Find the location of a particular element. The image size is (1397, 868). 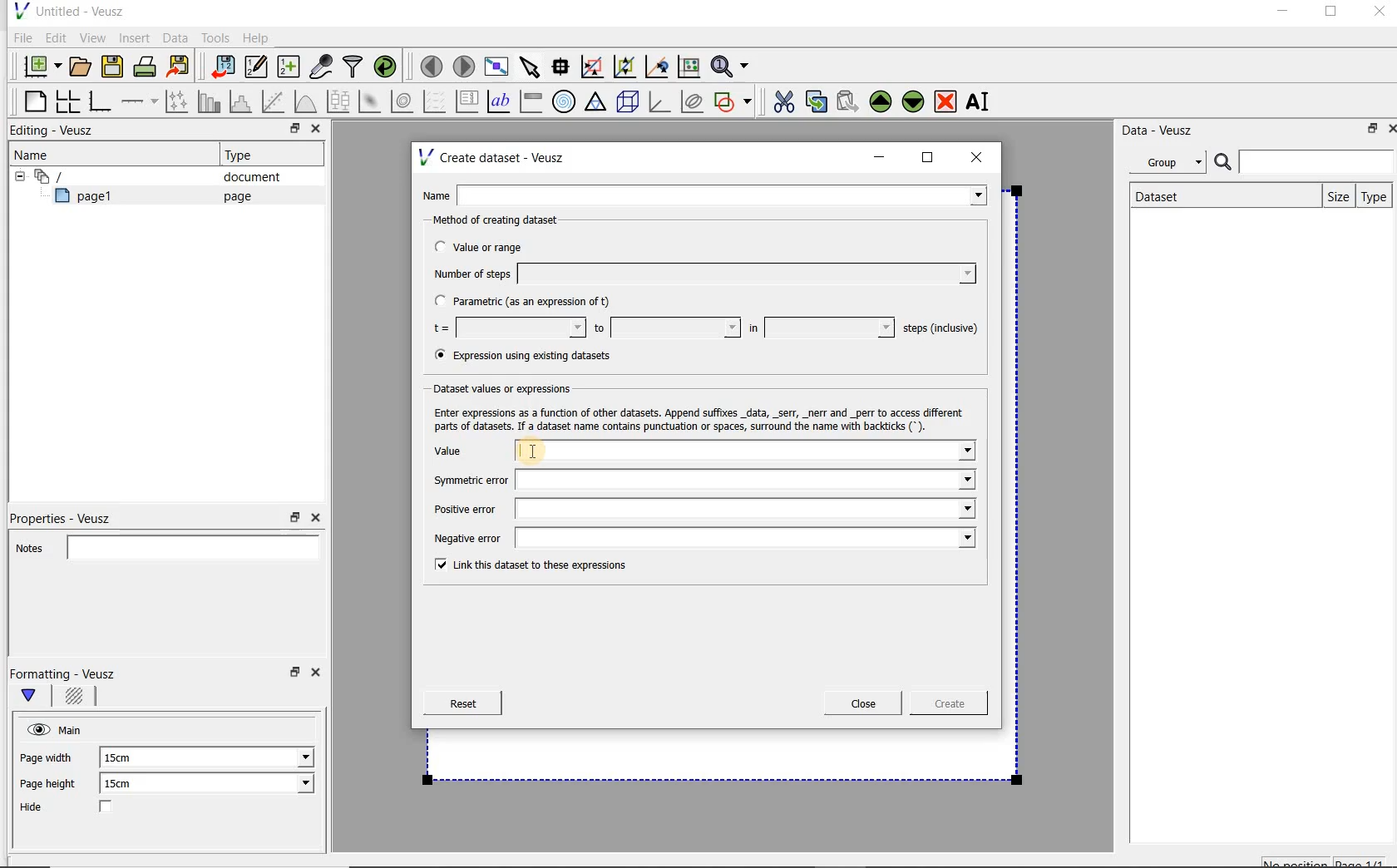

Value or range is located at coordinates (493, 244).